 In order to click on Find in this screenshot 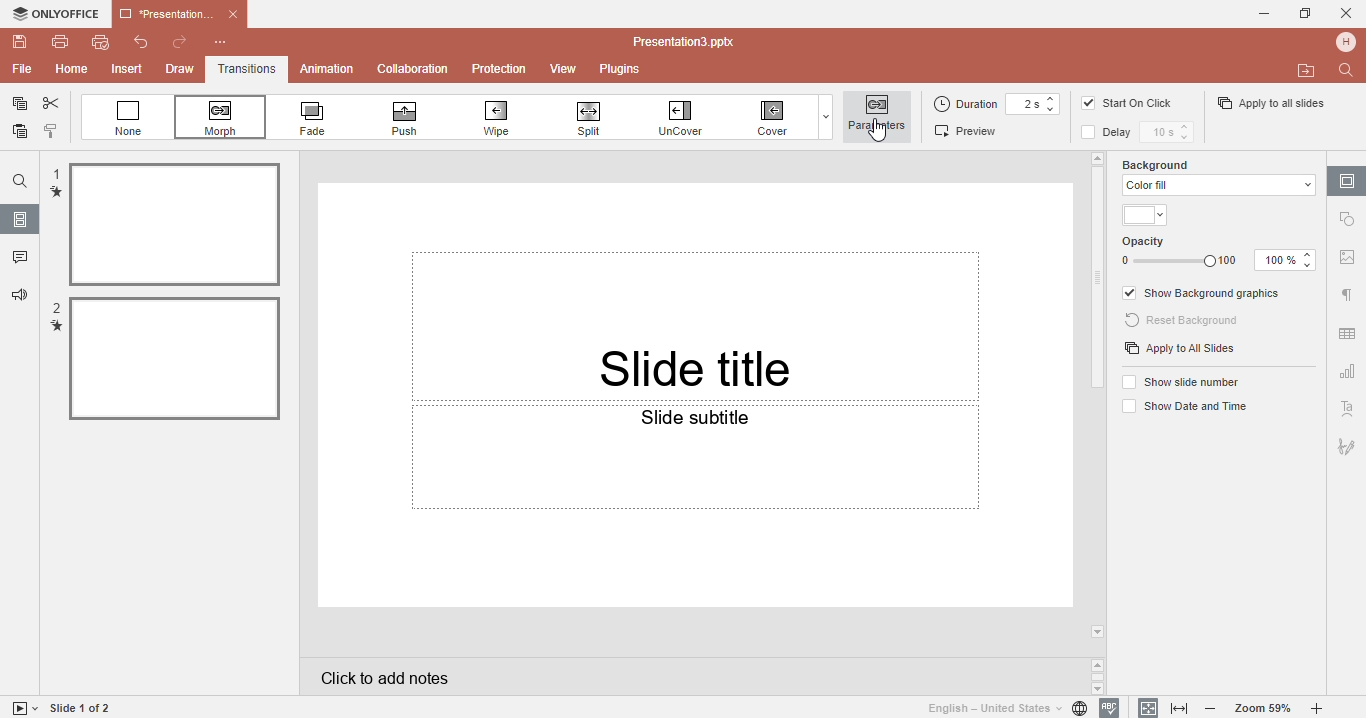, I will do `click(19, 181)`.